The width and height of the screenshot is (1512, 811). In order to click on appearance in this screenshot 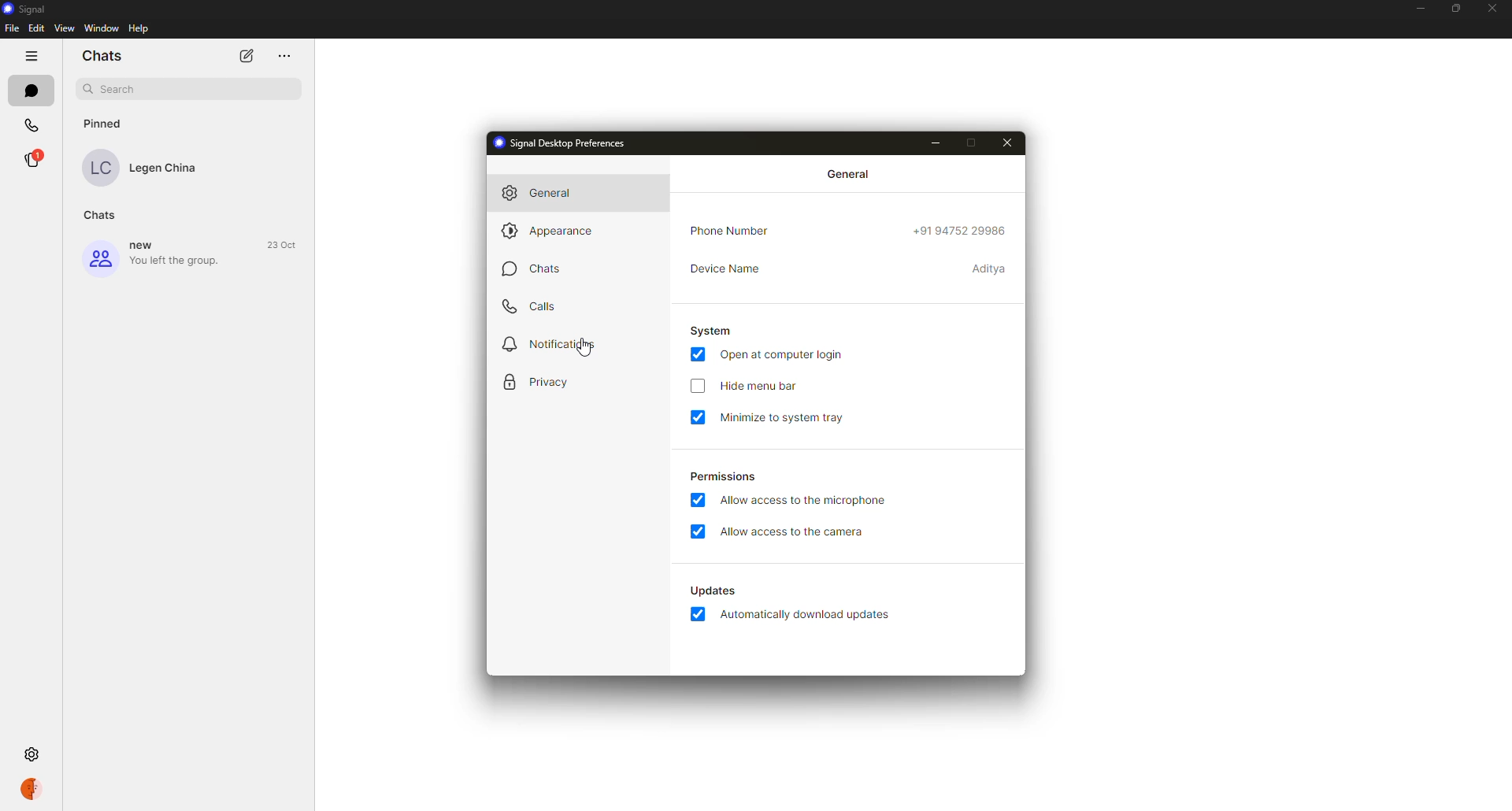, I will do `click(551, 231)`.